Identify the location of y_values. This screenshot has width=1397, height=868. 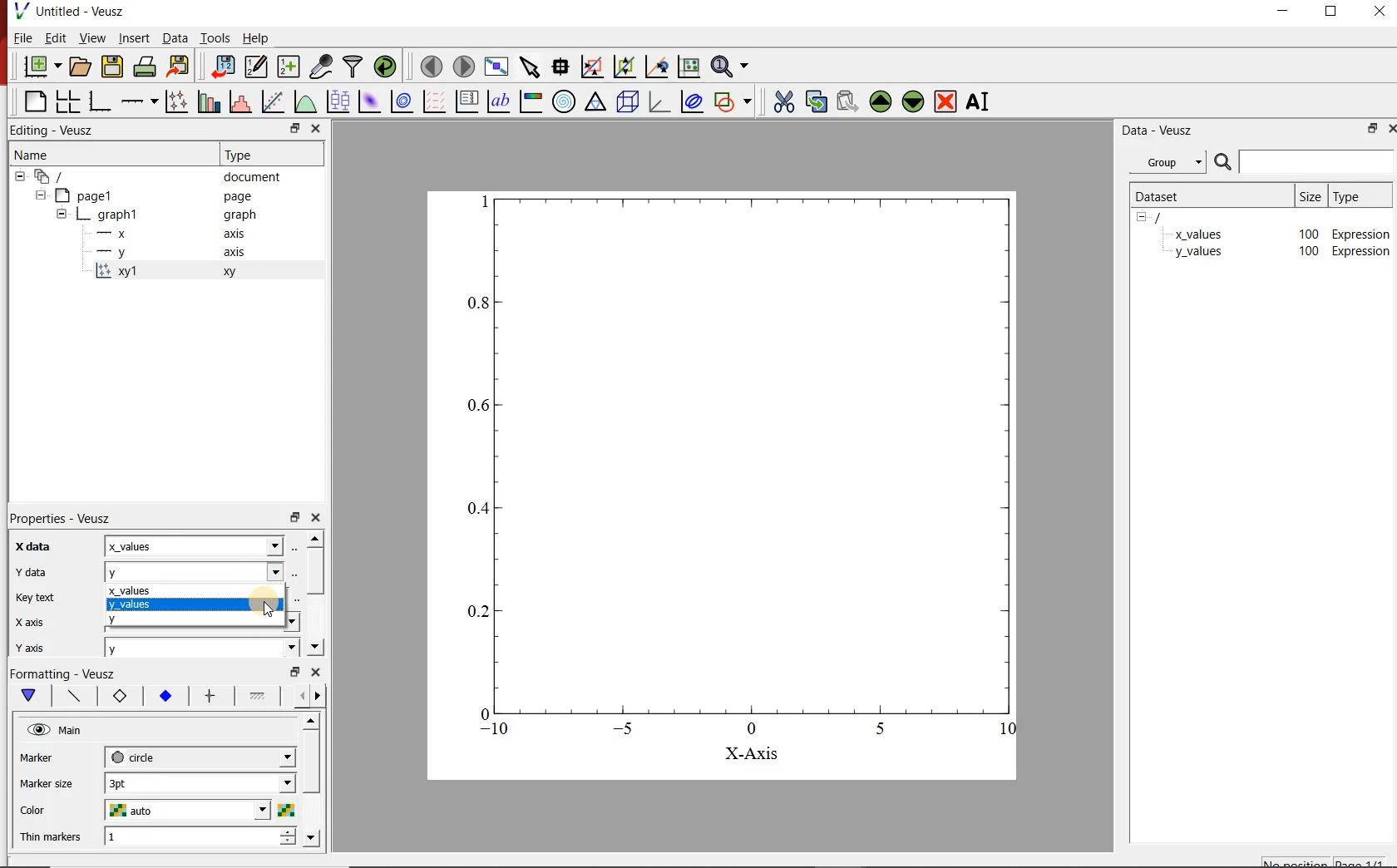
(197, 606).